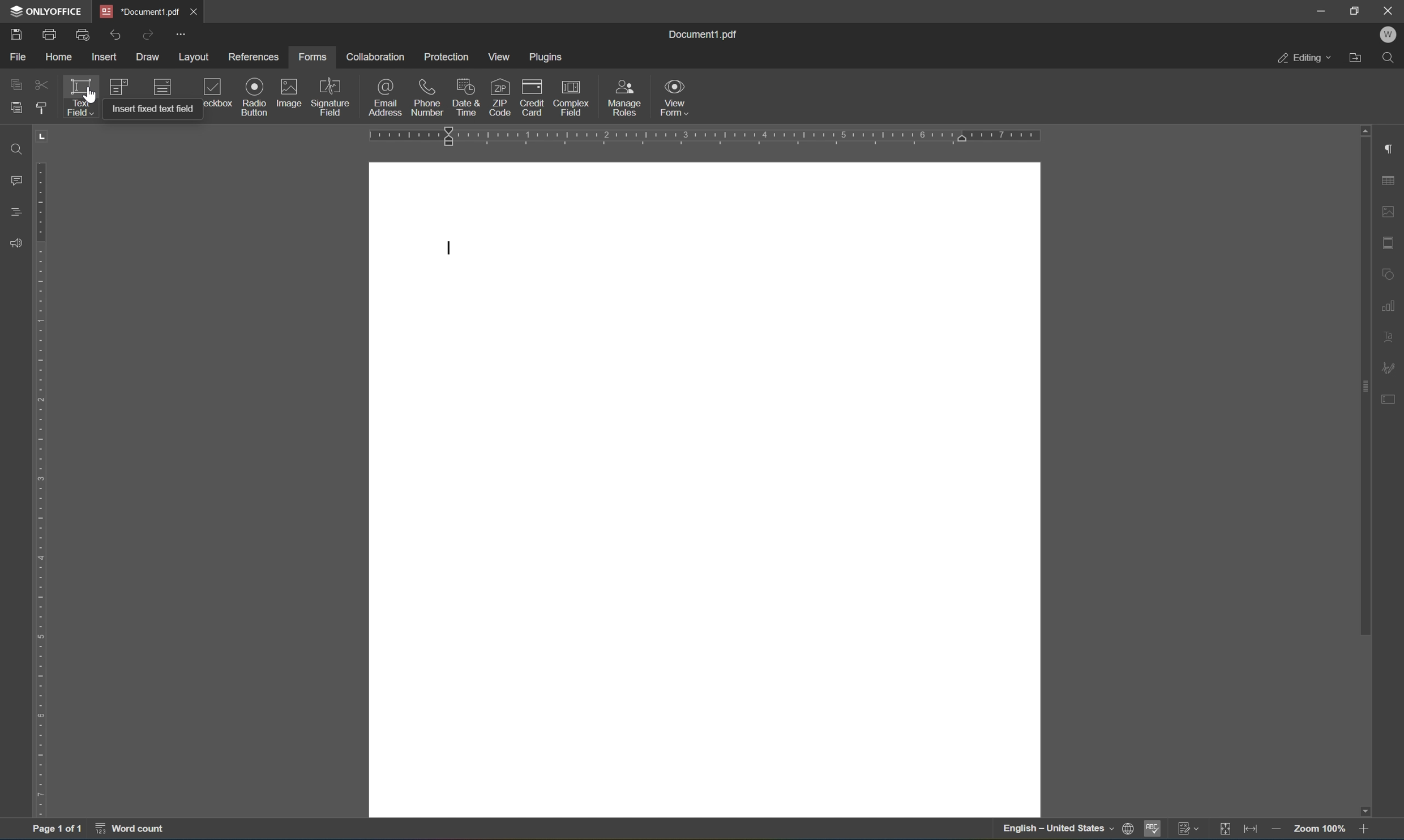 The image size is (1404, 840). I want to click on image, so click(292, 94).